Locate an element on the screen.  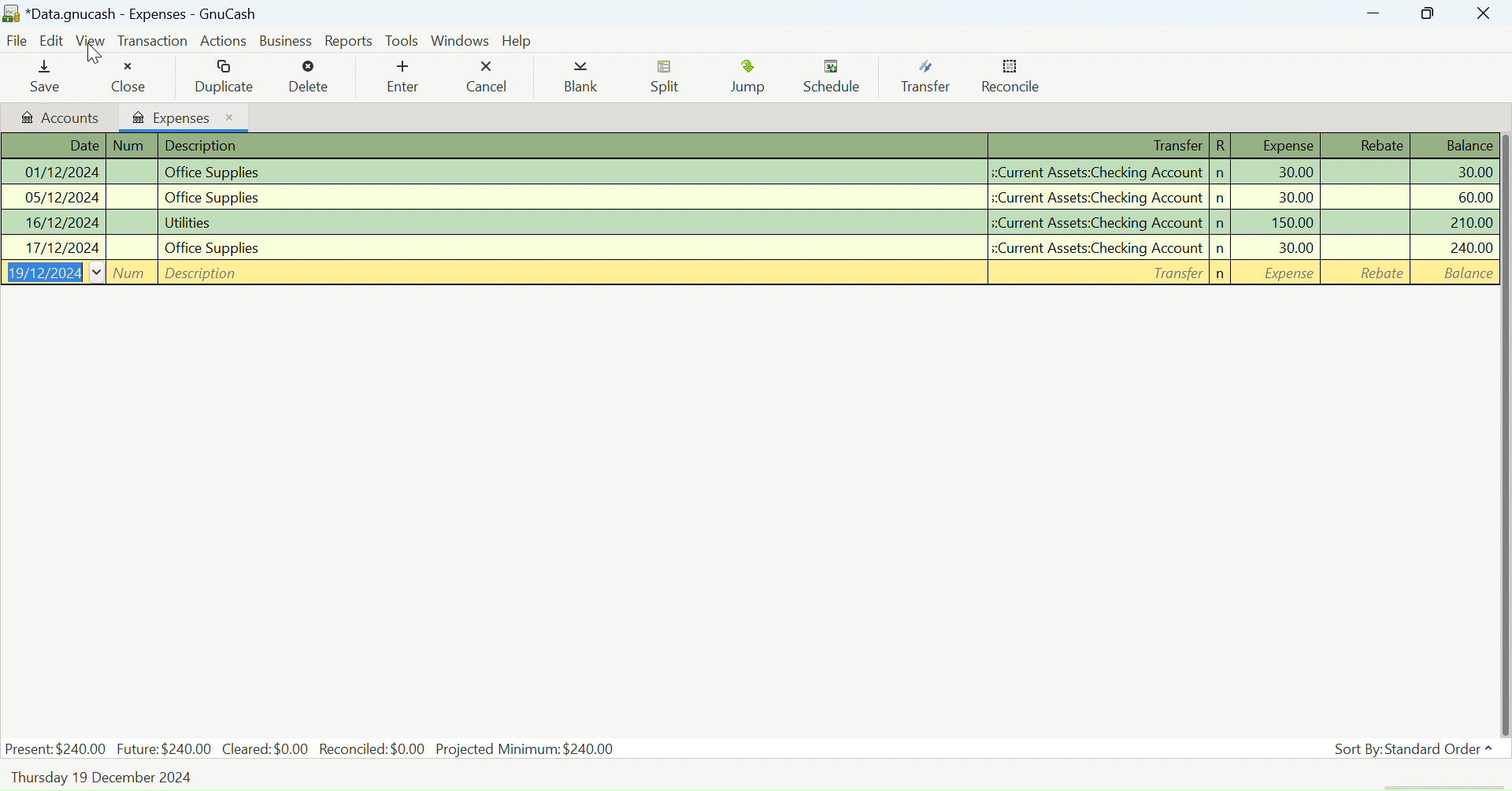
Minimize is located at coordinates (1429, 13).